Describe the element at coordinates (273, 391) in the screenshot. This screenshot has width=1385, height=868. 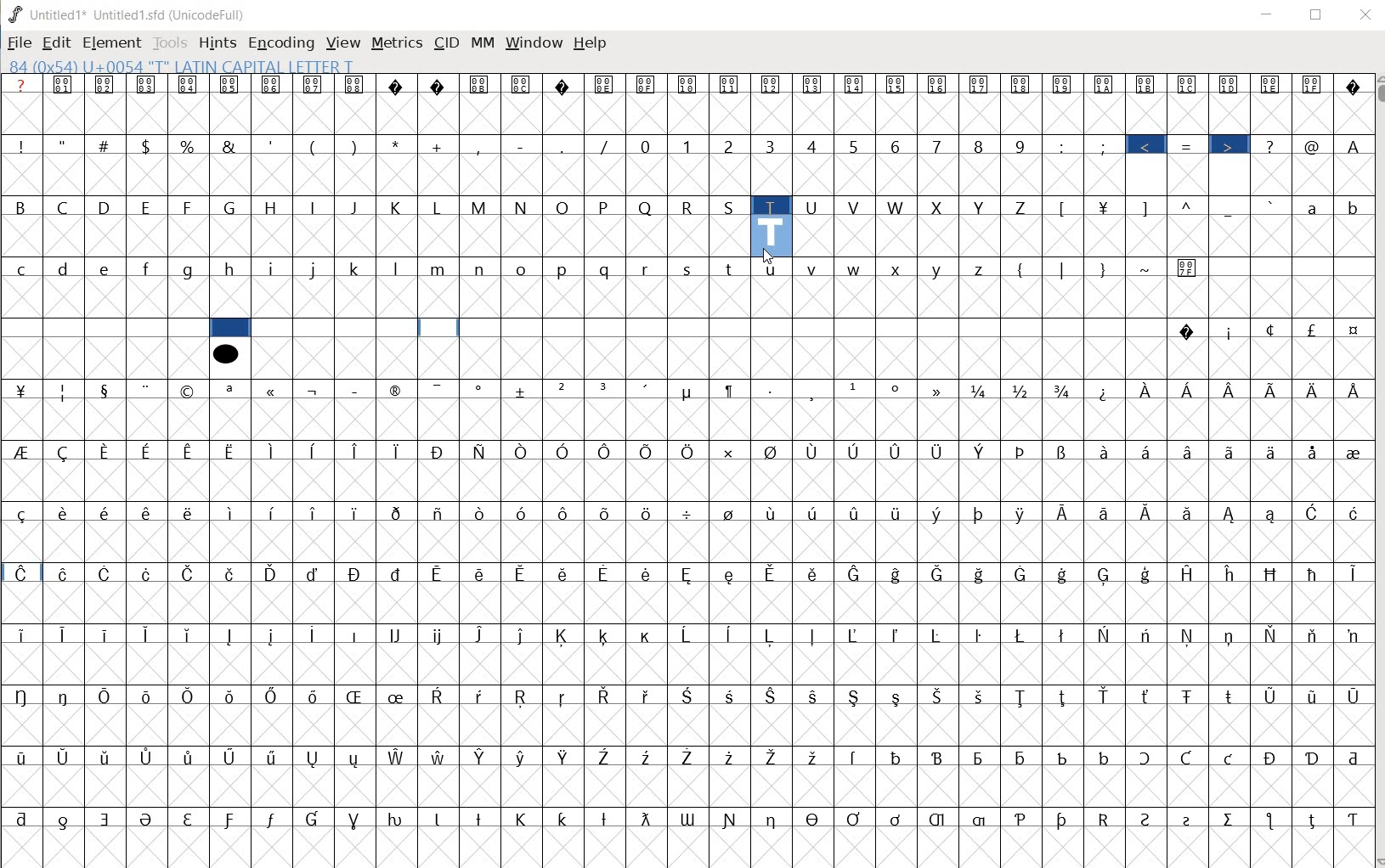
I see `Symbol` at that location.